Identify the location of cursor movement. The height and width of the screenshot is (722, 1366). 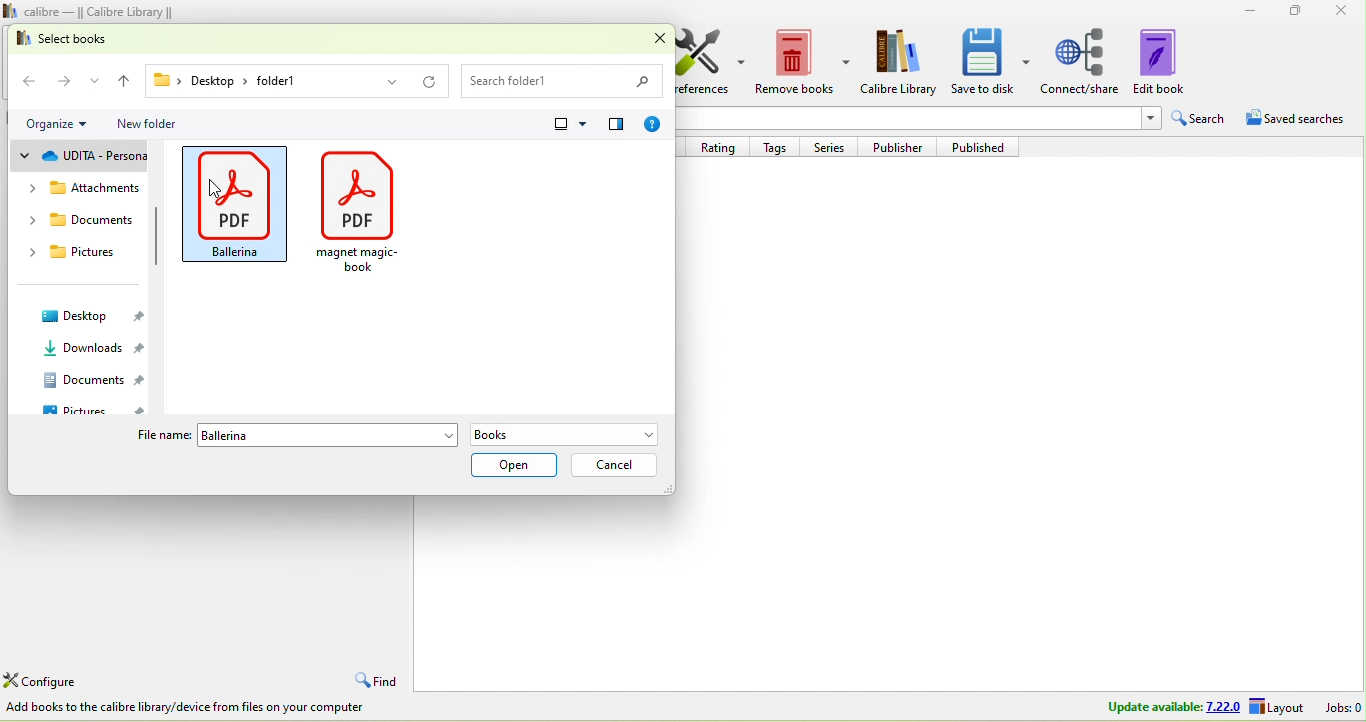
(210, 192).